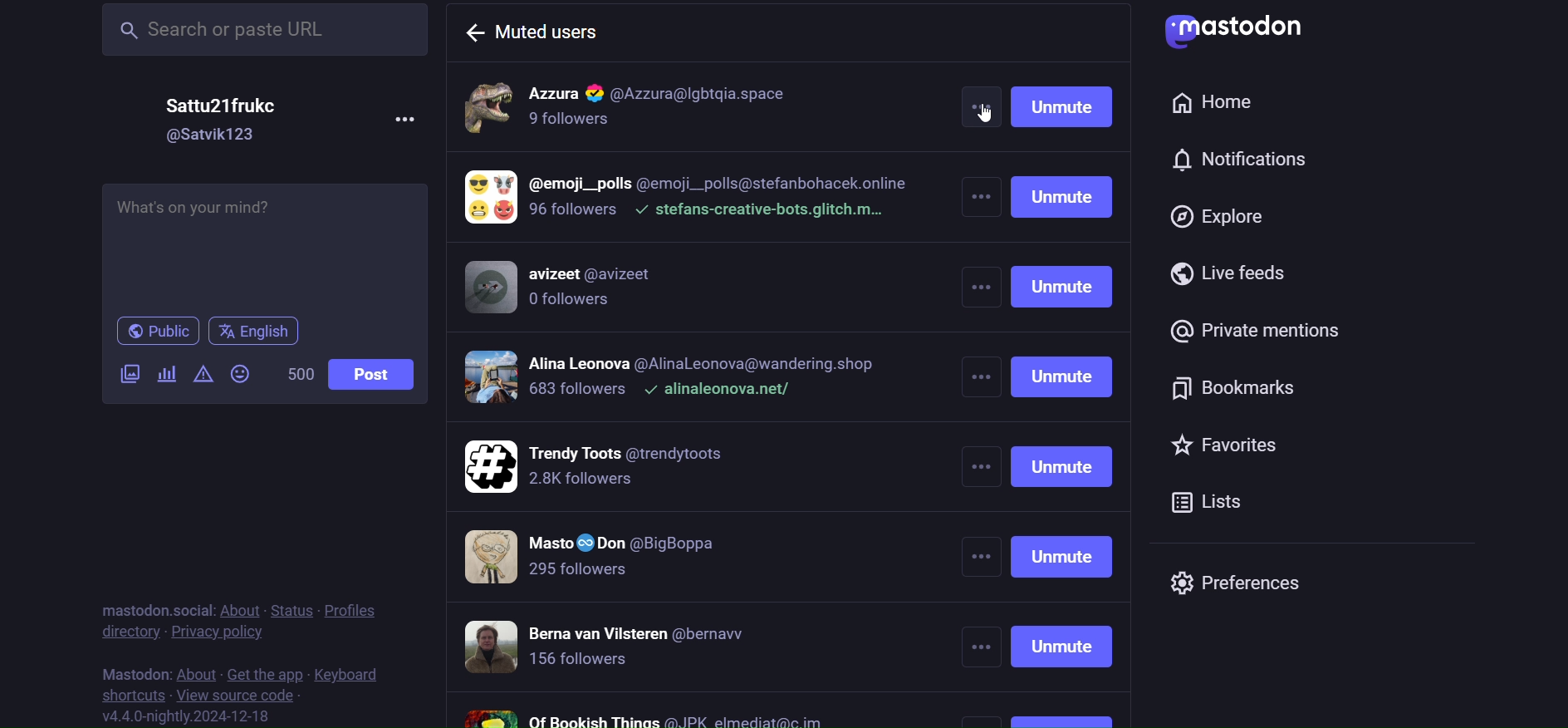 The image size is (1568, 728). Describe the element at coordinates (690, 199) in the screenshot. I see `muted accounts 2` at that location.